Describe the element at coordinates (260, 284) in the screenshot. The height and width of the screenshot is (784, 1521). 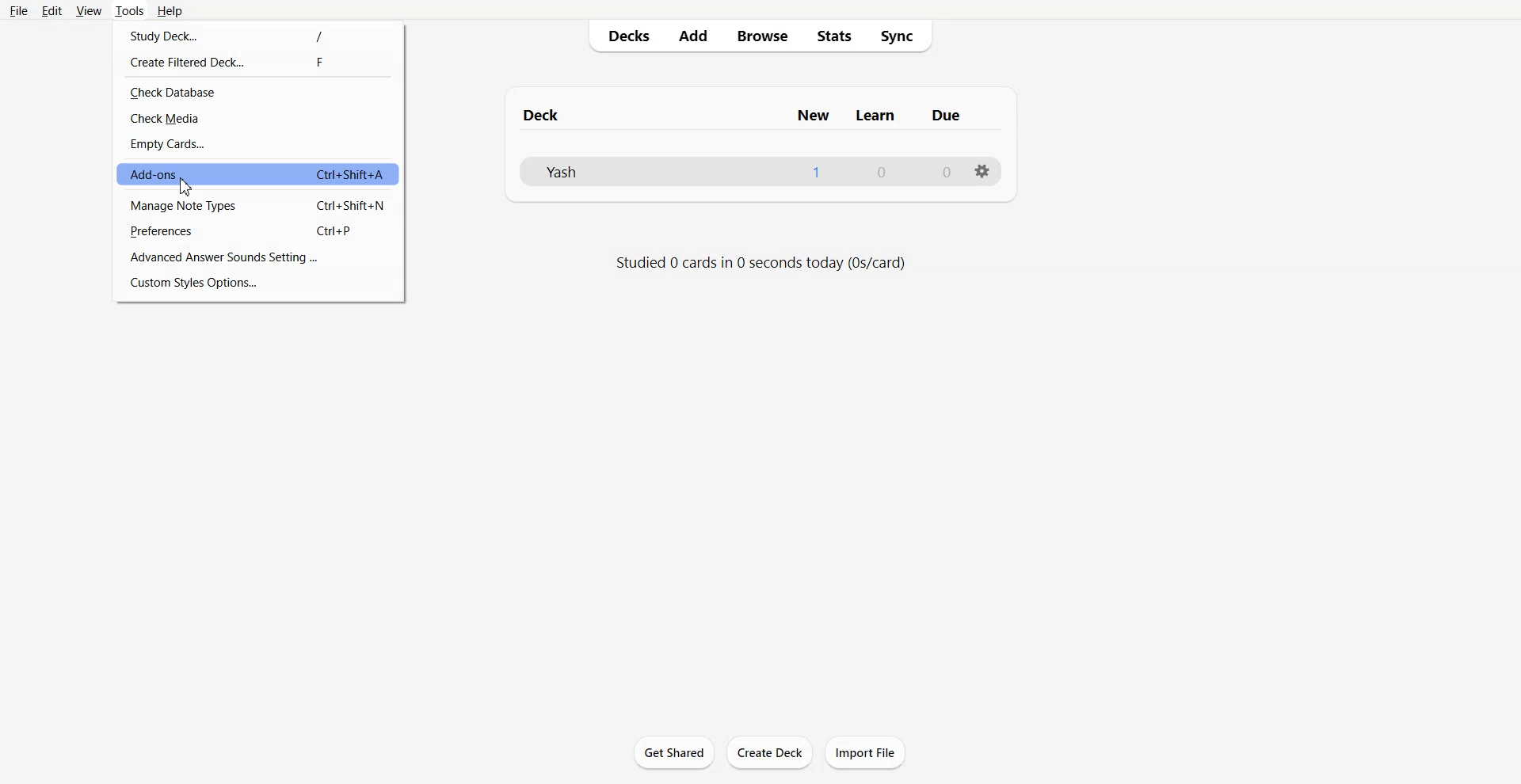
I see `Custom Styles Options` at that location.